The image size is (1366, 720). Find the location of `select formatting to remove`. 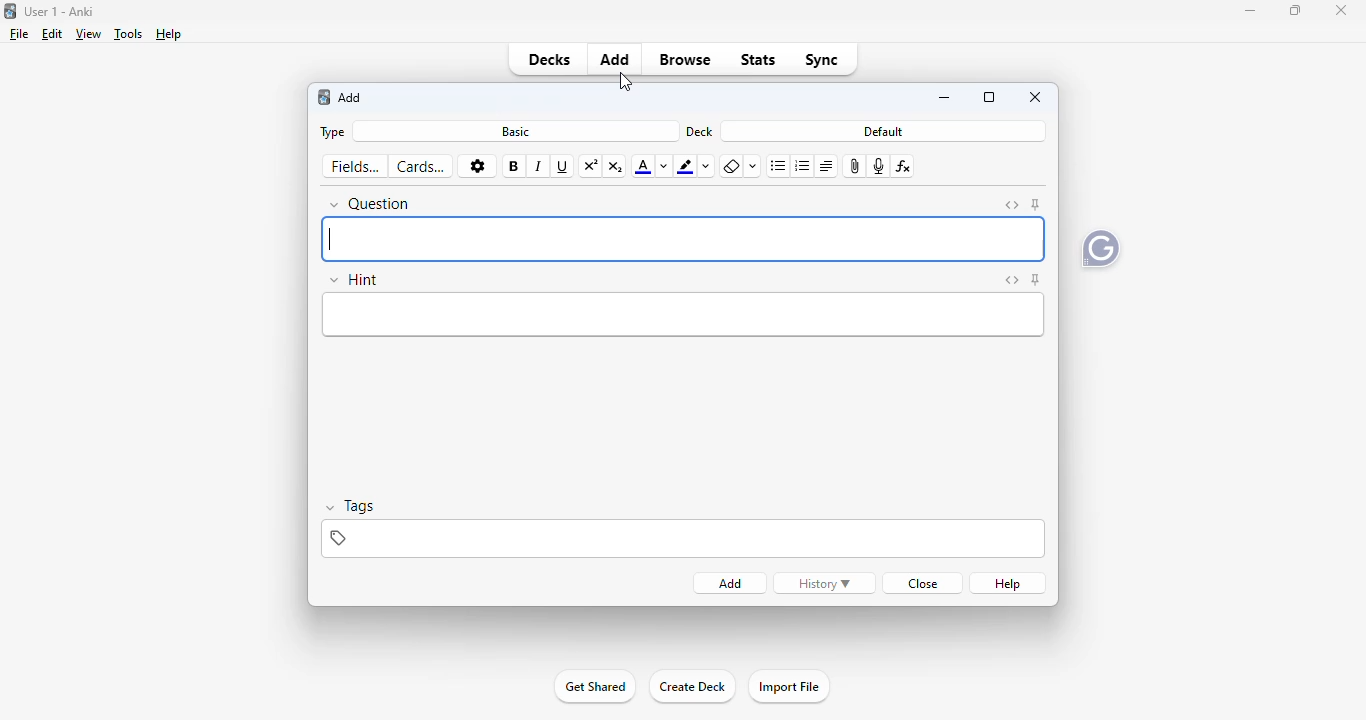

select formatting to remove is located at coordinates (754, 167).